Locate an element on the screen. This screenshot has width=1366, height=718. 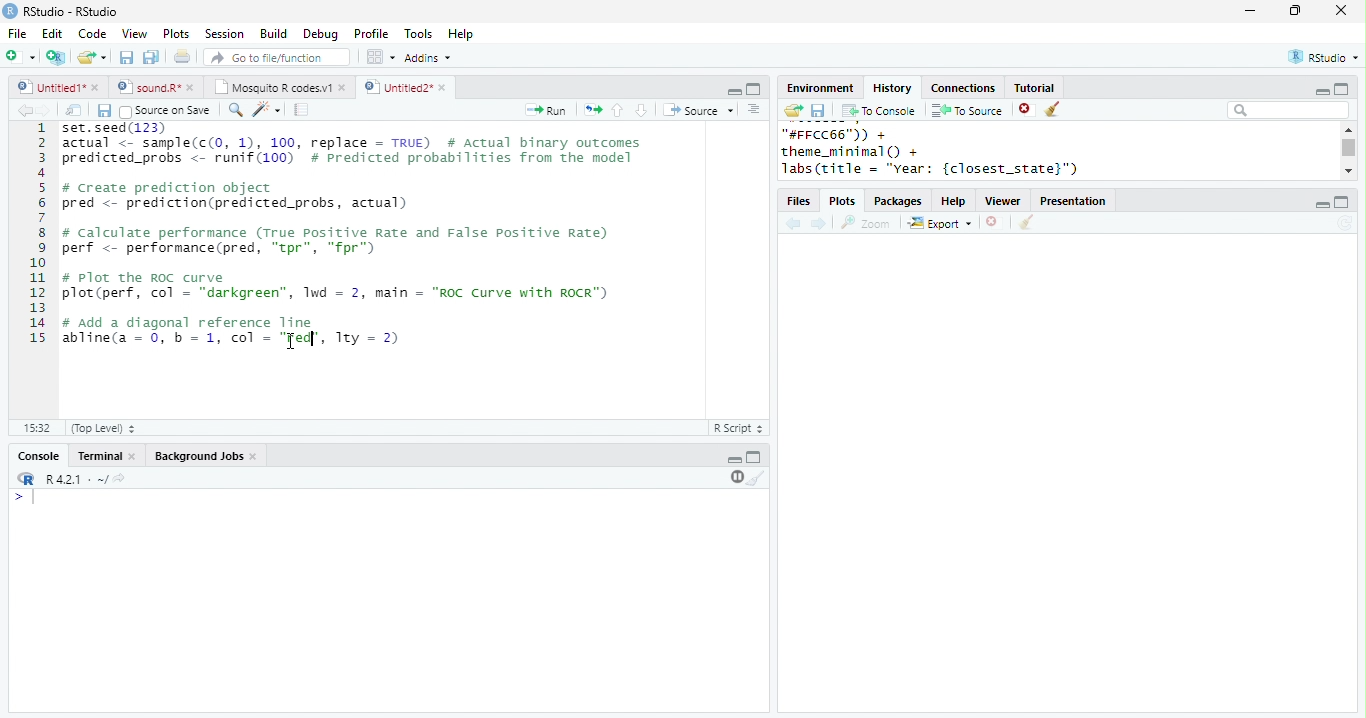
forward is located at coordinates (44, 110).